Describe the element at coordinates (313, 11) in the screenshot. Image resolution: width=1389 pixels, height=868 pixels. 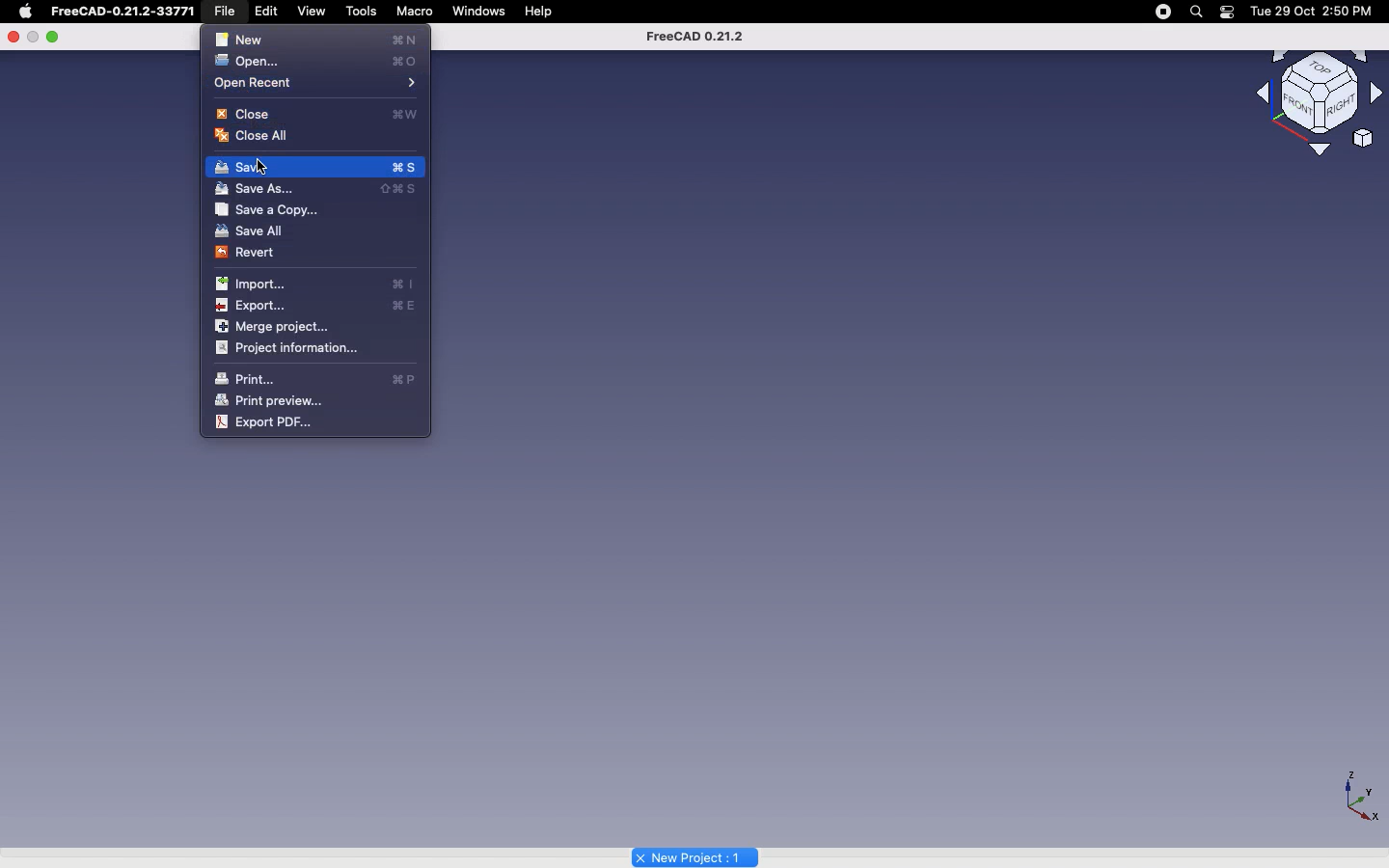
I see `View` at that location.